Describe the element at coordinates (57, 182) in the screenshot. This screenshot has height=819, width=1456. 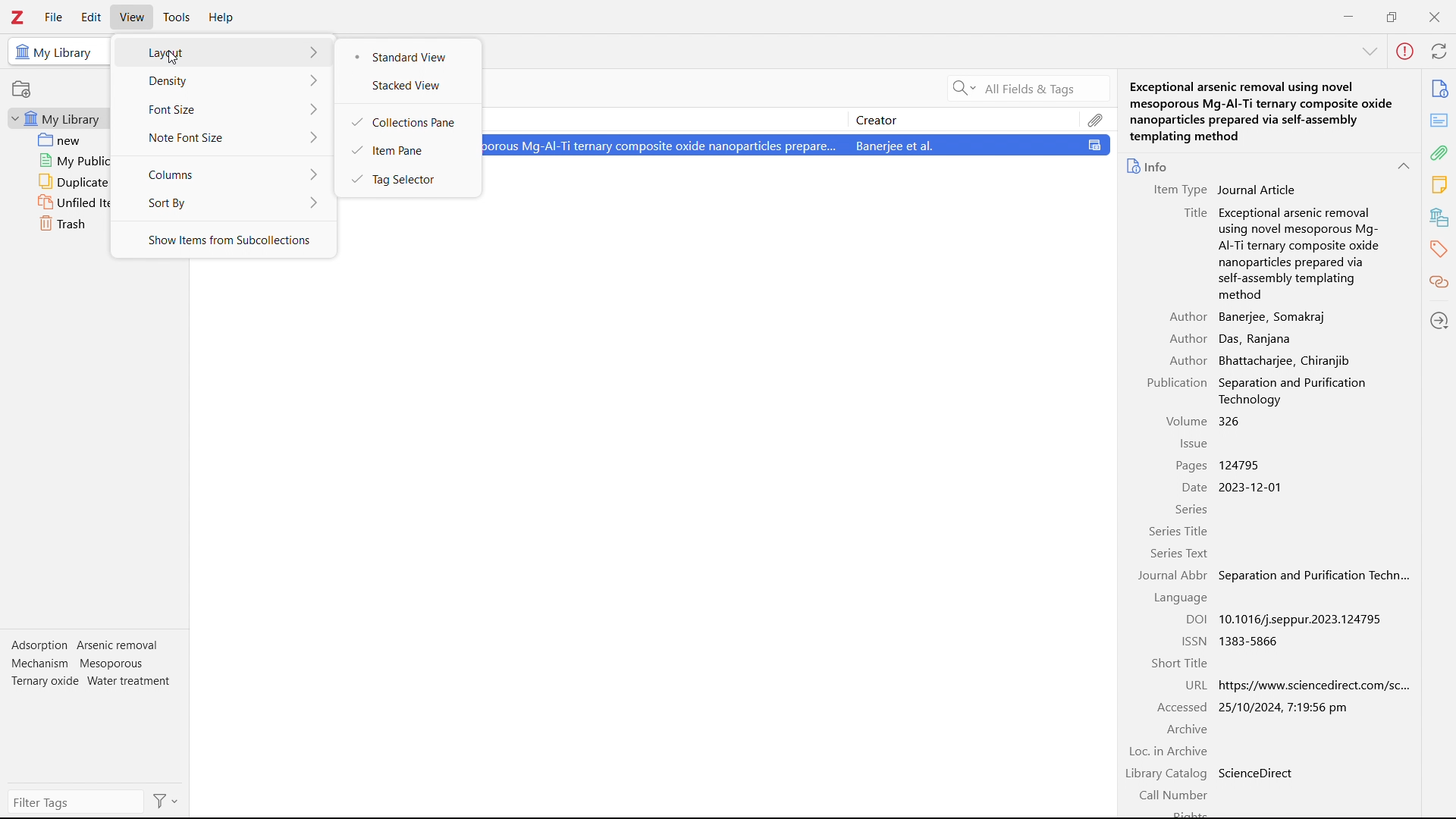
I see `duplicate items` at that location.